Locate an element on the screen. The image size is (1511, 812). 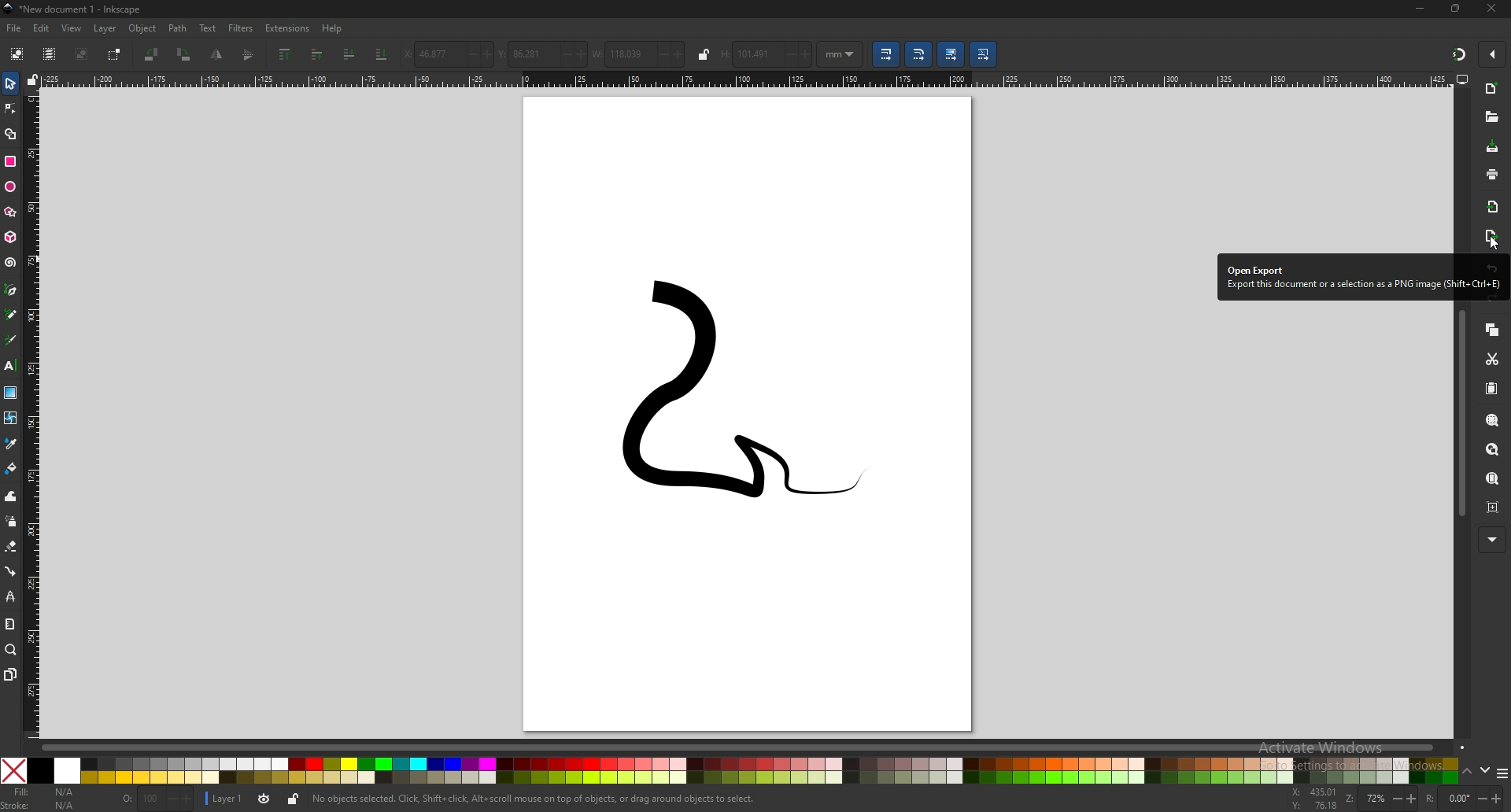
zoom centre page is located at coordinates (1494, 507).